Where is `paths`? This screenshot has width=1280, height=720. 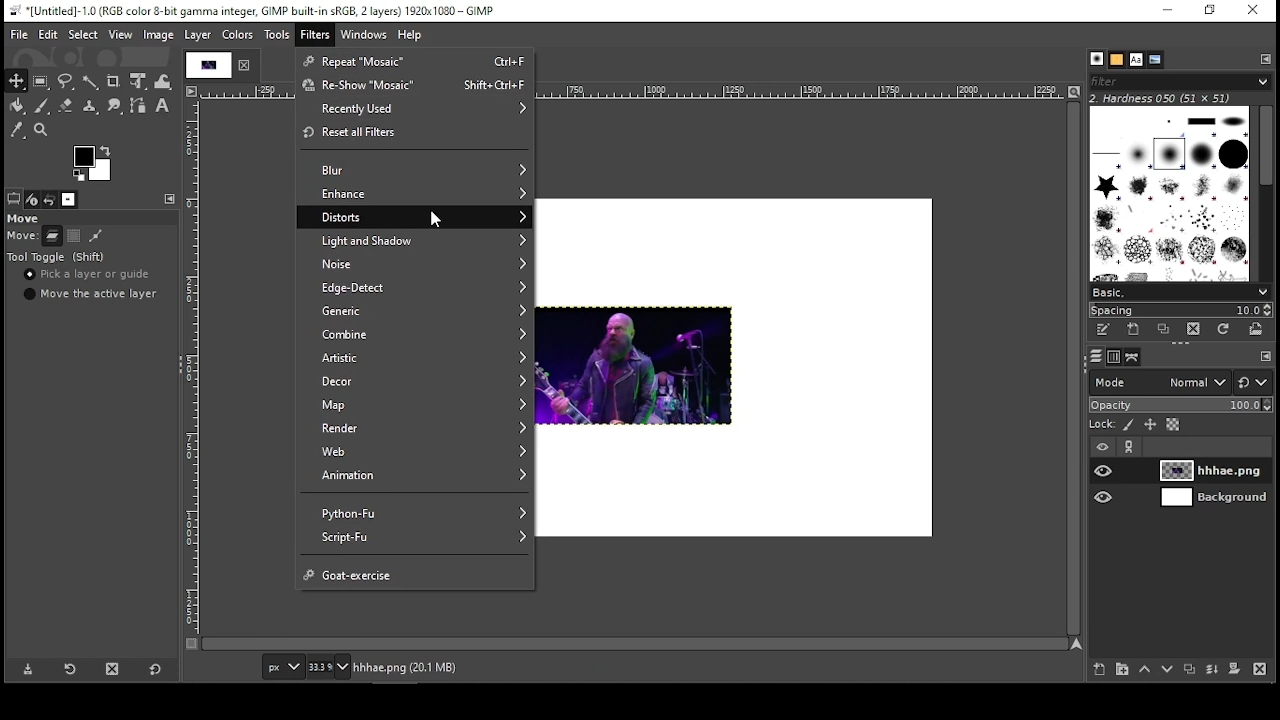
paths is located at coordinates (1134, 356).